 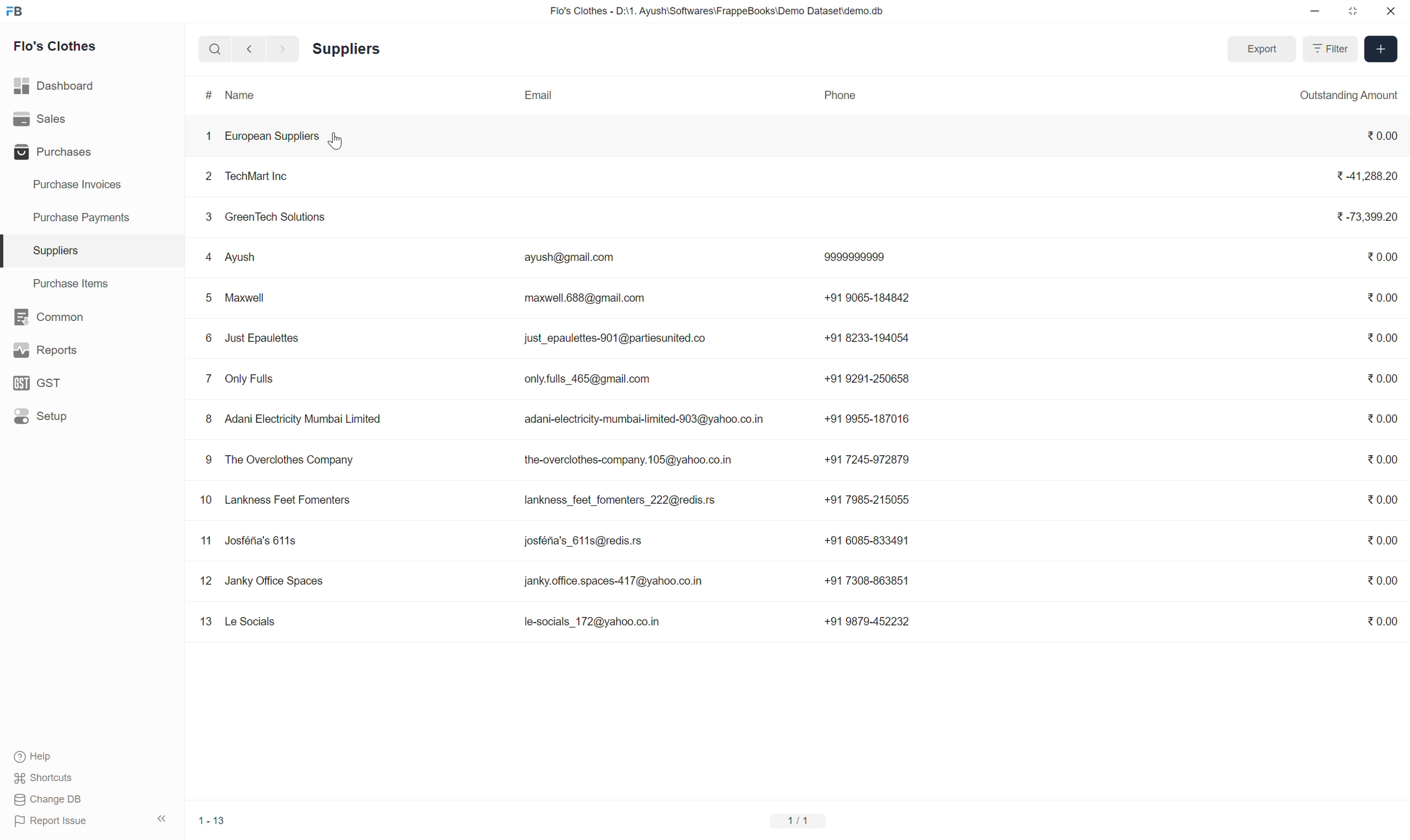 I want to click on 12, so click(x=200, y=581).